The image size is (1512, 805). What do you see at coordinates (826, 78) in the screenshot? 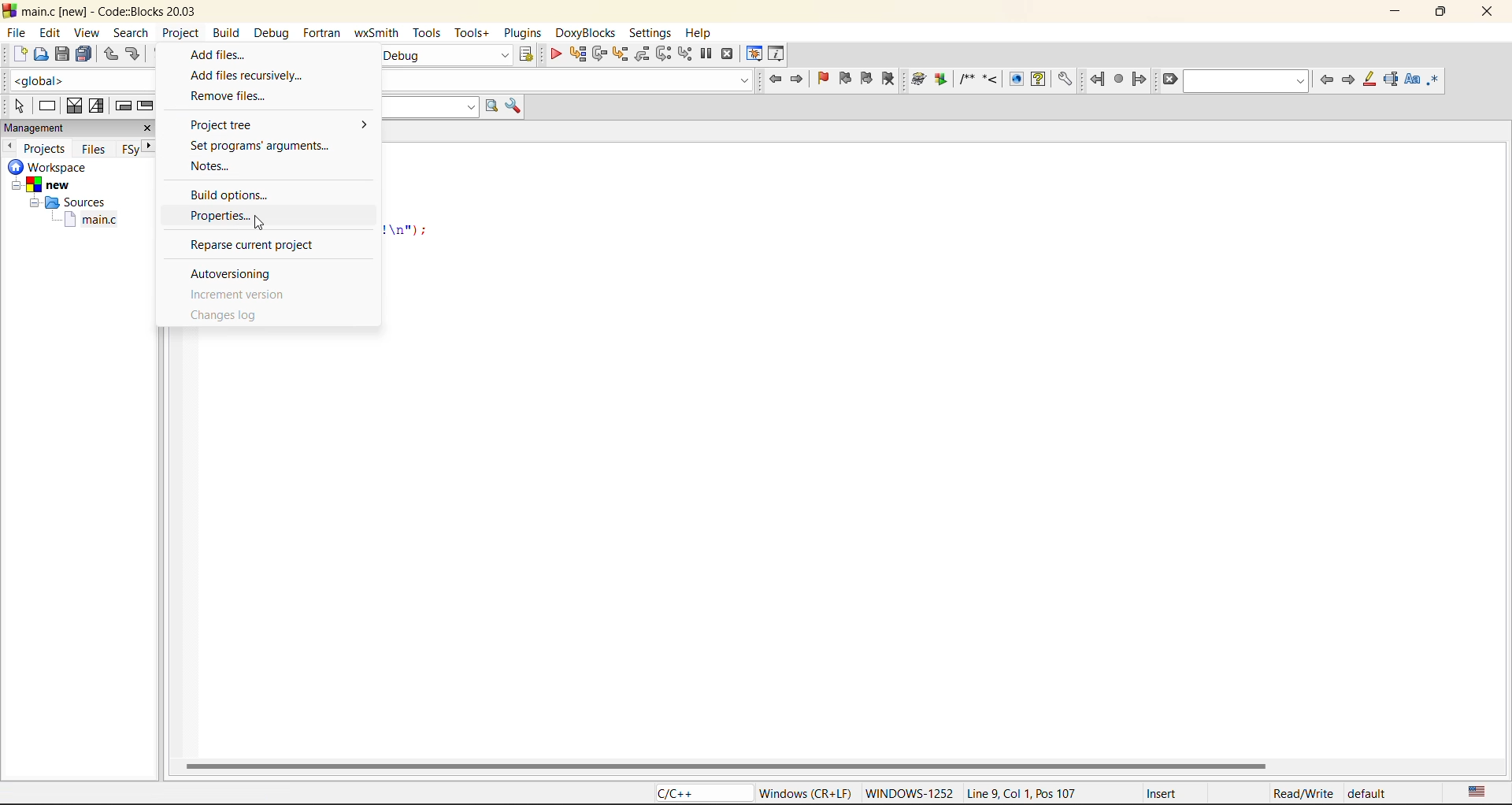
I see `toggle bookmark` at bounding box center [826, 78].